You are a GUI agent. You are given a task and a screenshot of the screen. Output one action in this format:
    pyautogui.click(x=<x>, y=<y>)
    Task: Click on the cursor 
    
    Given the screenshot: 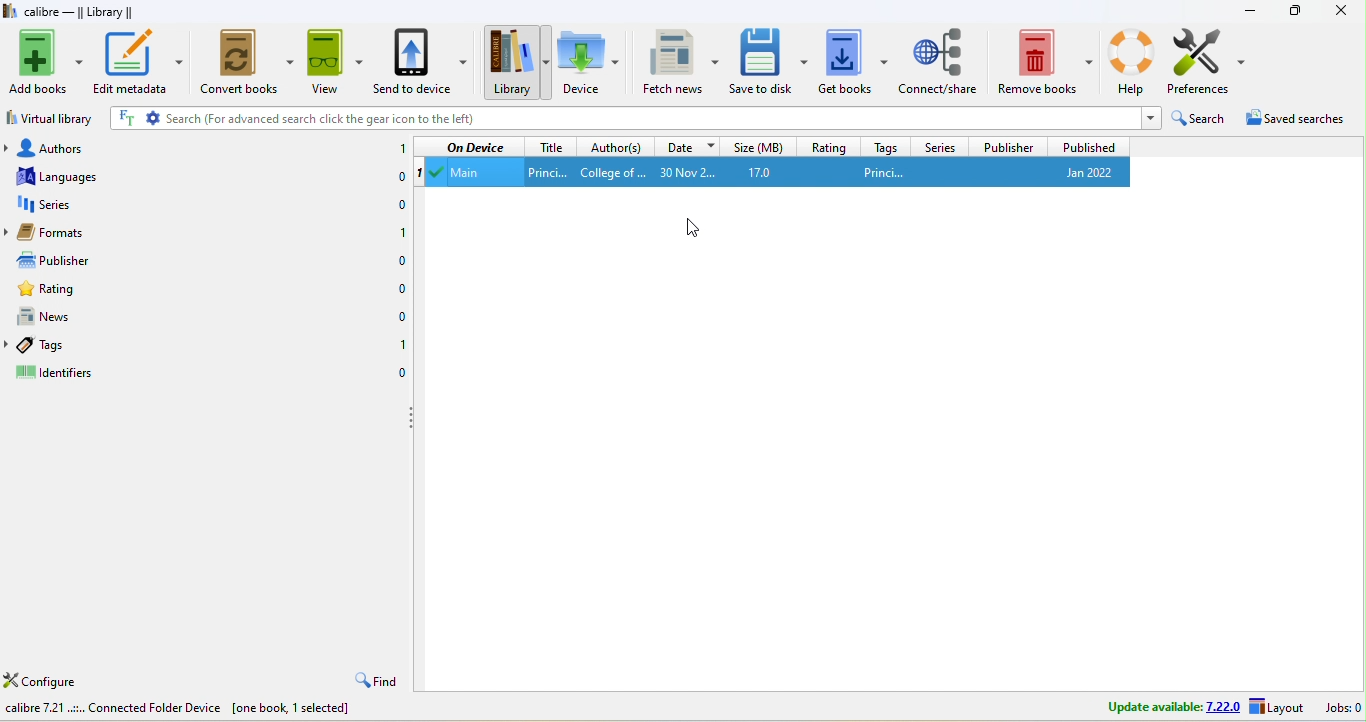 What is the action you would take?
    pyautogui.click(x=694, y=228)
    